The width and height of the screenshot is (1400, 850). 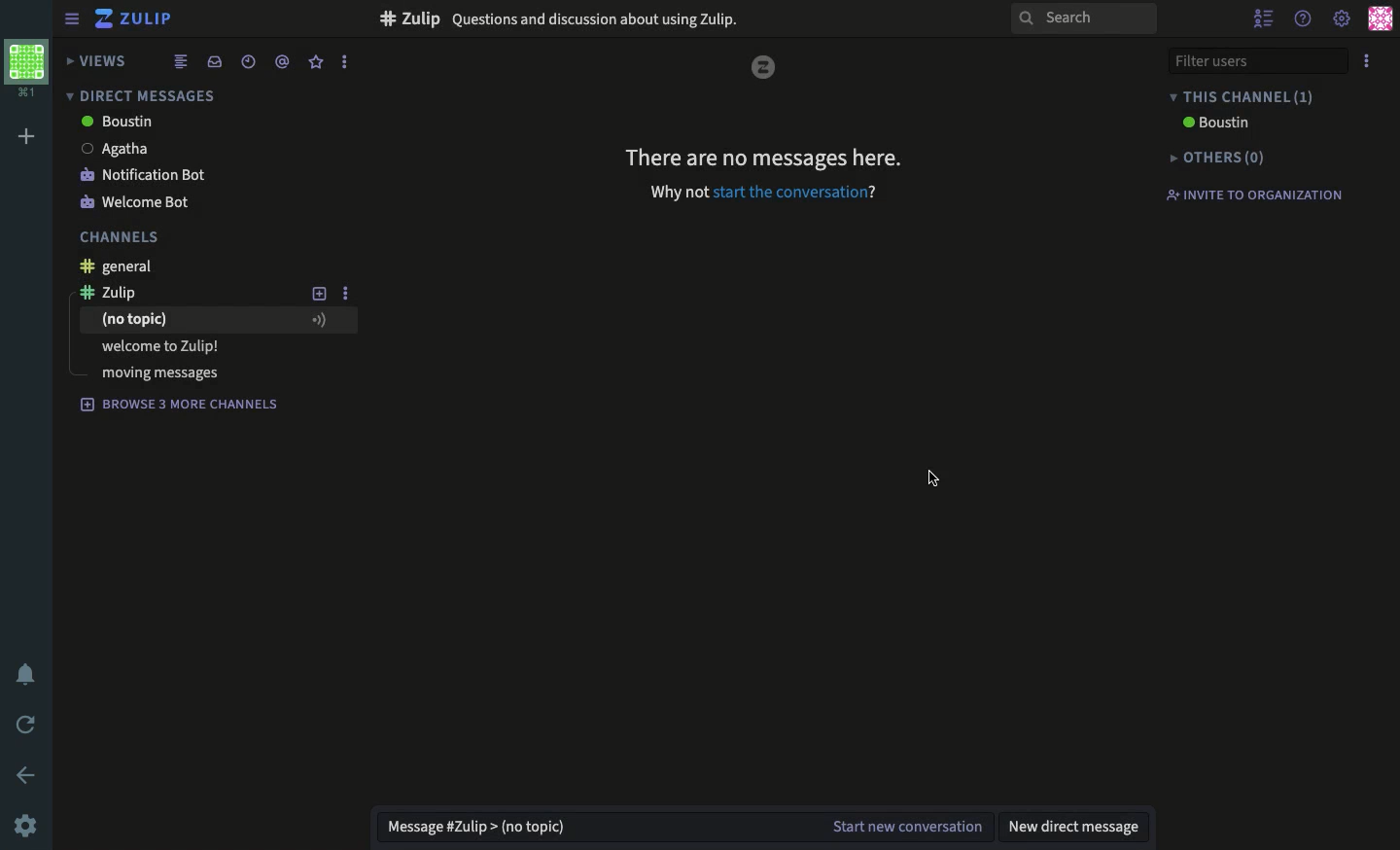 What do you see at coordinates (567, 18) in the screenshot?
I see `#zulip questions and discussions about zulip` at bounding box center [567, 18].